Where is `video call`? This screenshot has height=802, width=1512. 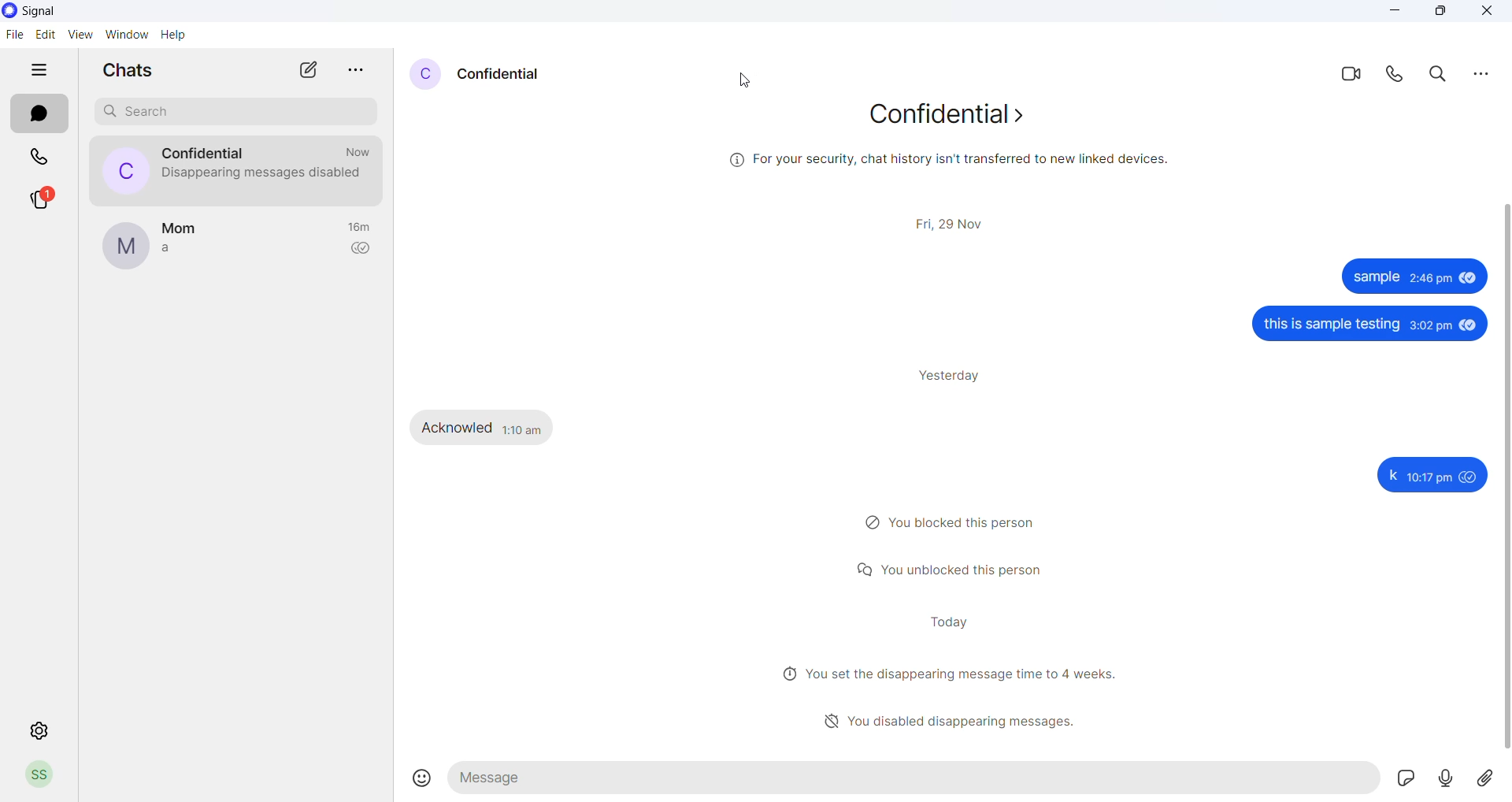
video call is located at coordinates (1354, 72).